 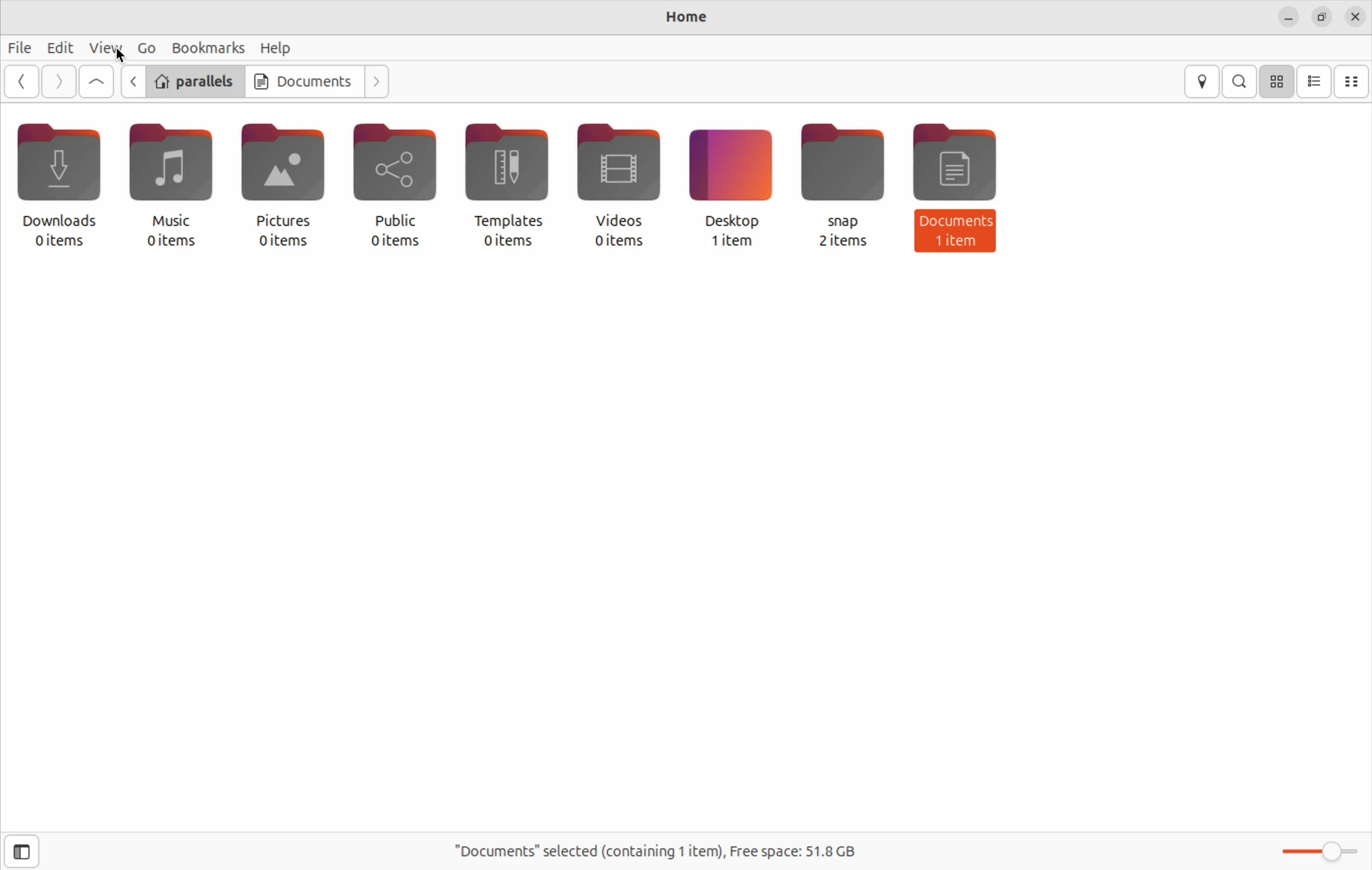 What do you see at coordinates (397, 170) in the screenshot?
I see `Public` at bounding box center [397, 170].